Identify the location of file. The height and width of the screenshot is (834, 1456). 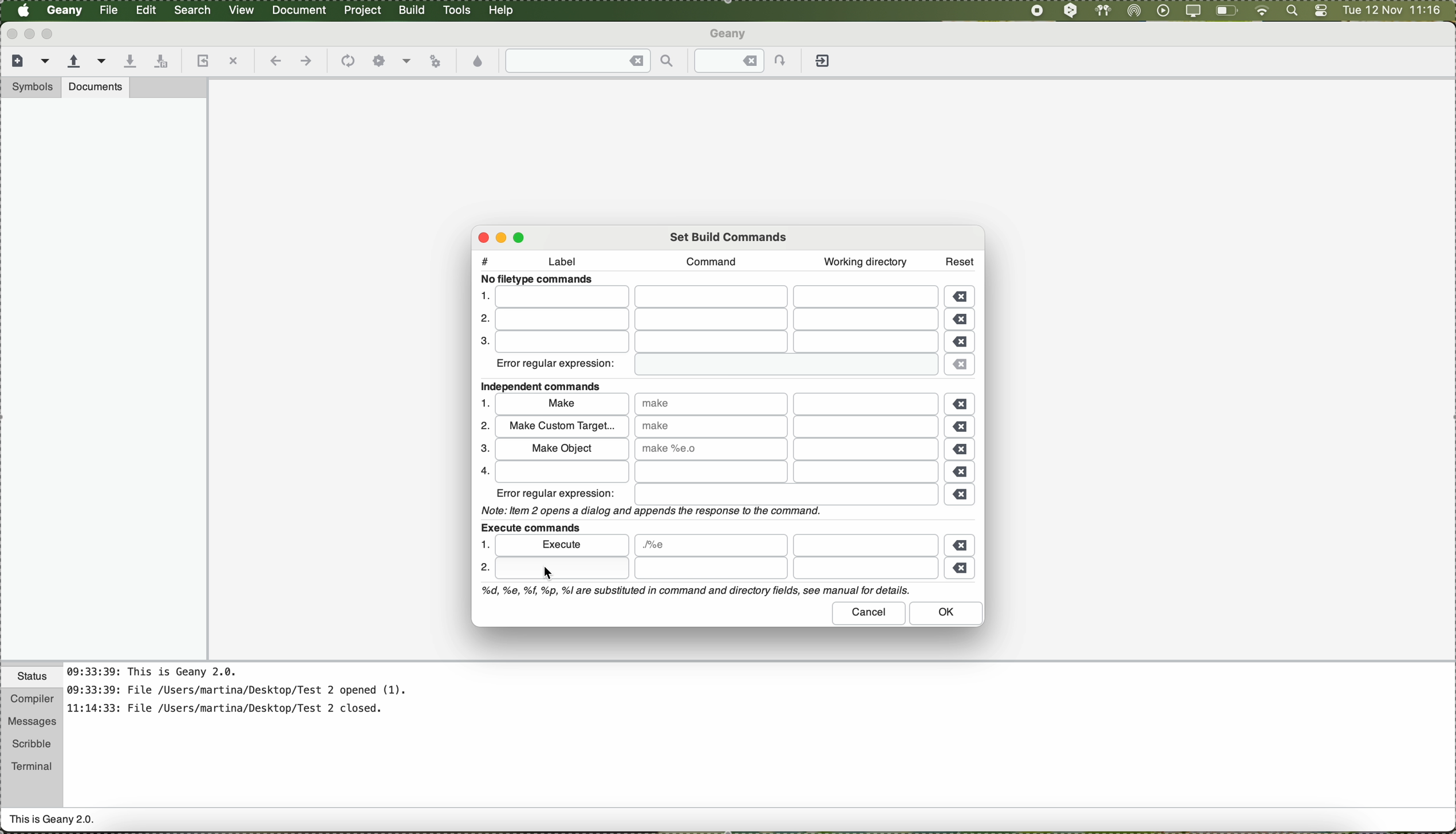
(868, 404).